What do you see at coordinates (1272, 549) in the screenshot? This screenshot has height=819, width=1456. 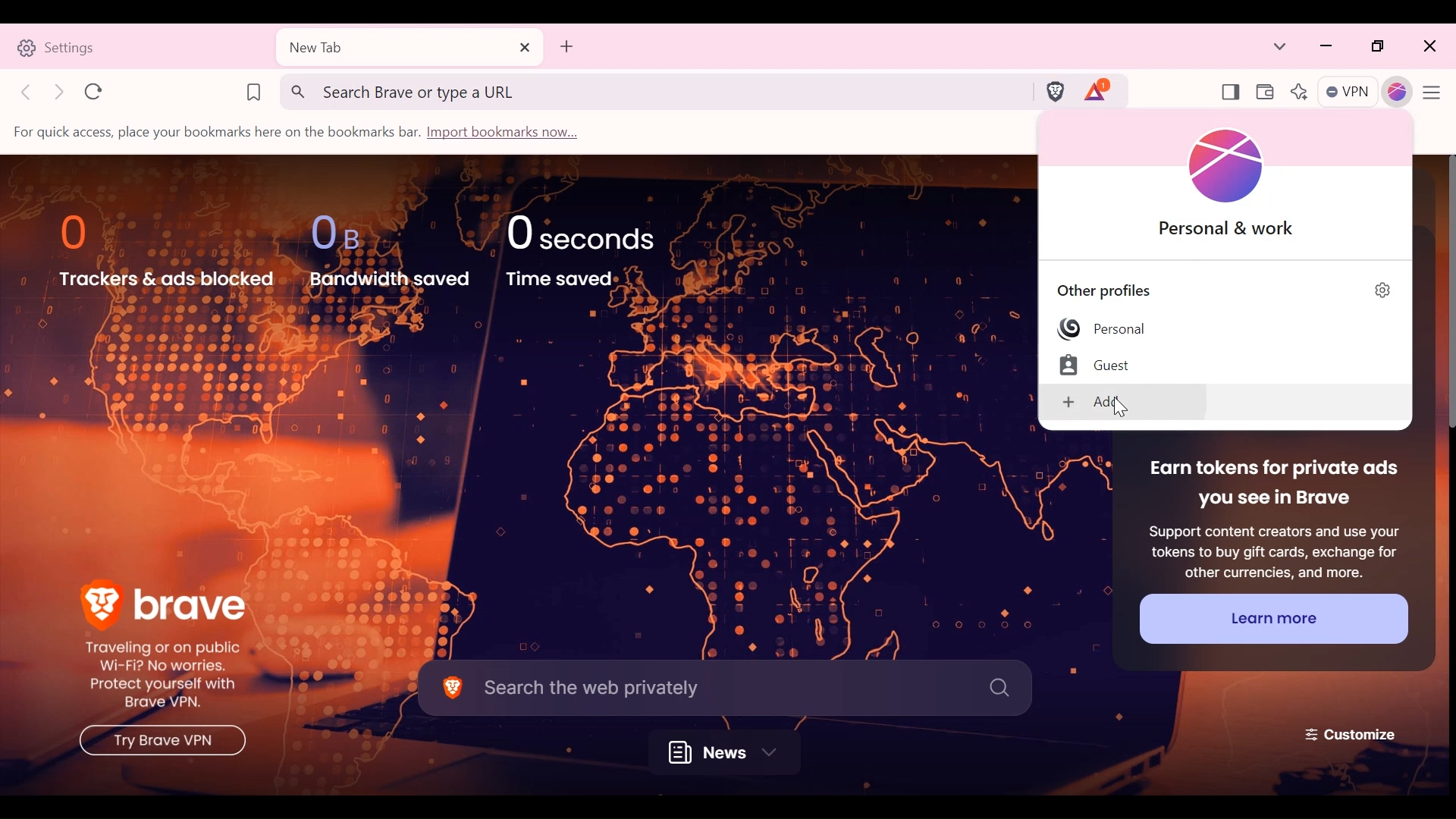 I see `a Support content creators and use your
tokens to buy gift cards, exchange for
other currencies, and more.` at bounding box center [1272, 549].